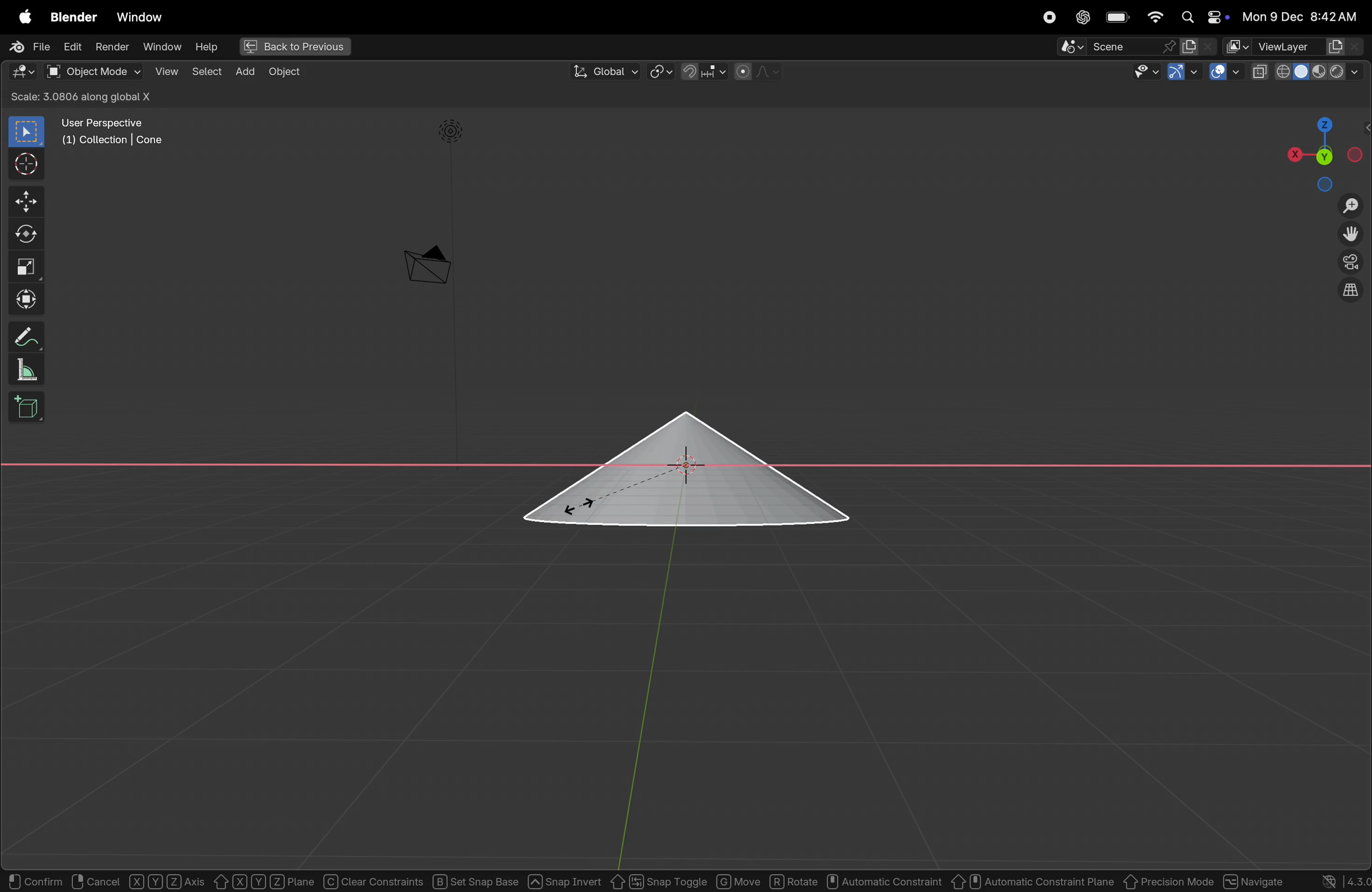  What do you see at coordinates (207, 73) in the screenshot?
I see `select` at bounding box center [207, 73].